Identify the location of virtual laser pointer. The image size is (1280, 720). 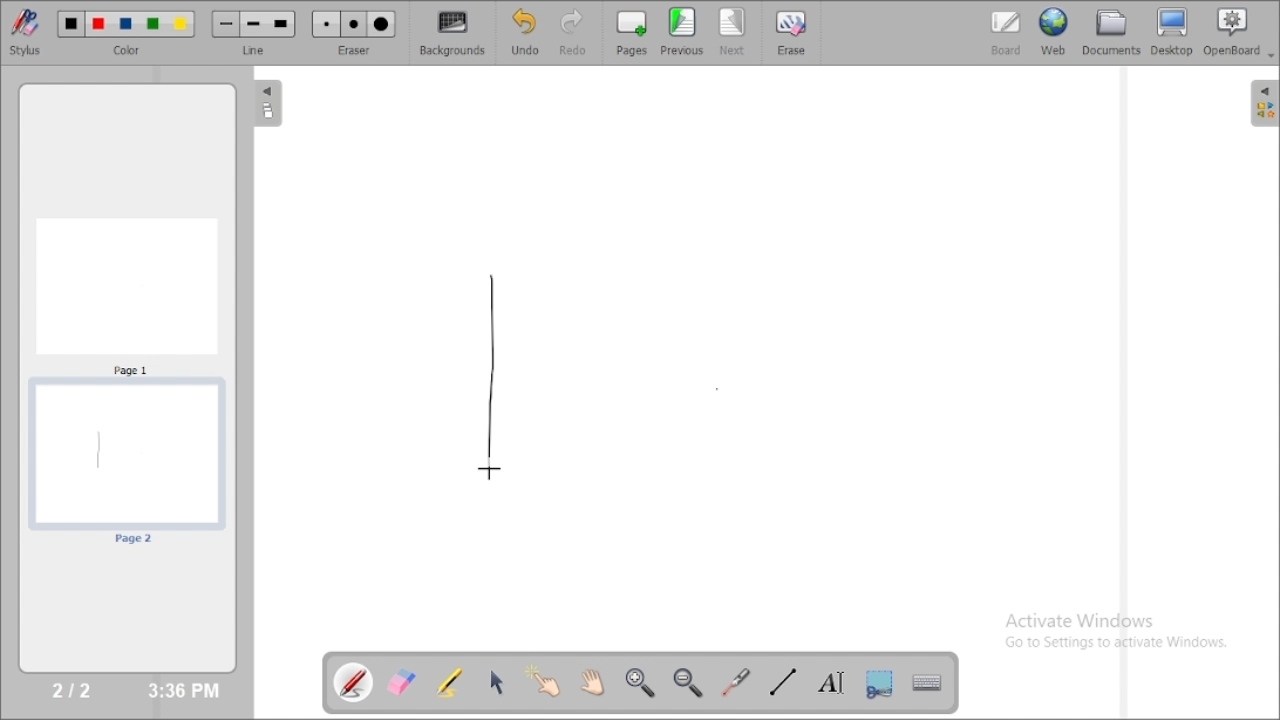
(736, 682).